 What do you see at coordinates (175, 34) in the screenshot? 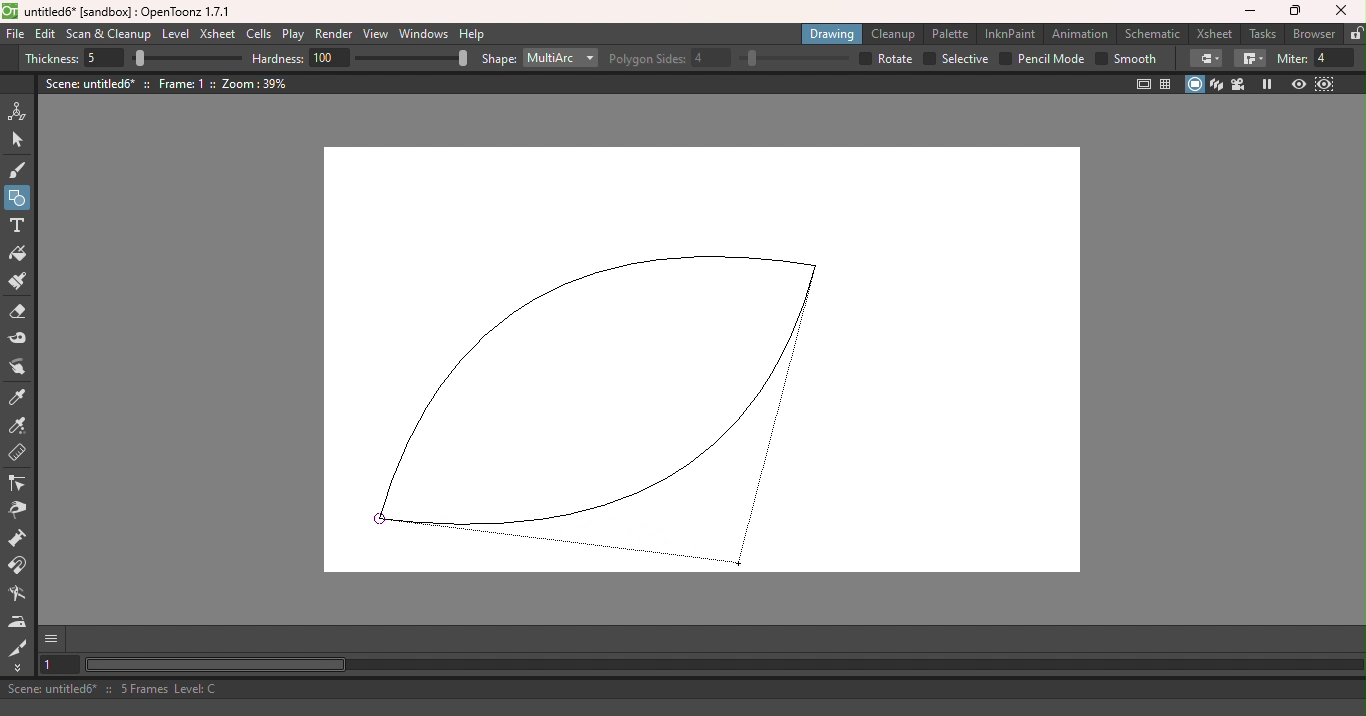
I see `Level` at bounding box center [175, 34].